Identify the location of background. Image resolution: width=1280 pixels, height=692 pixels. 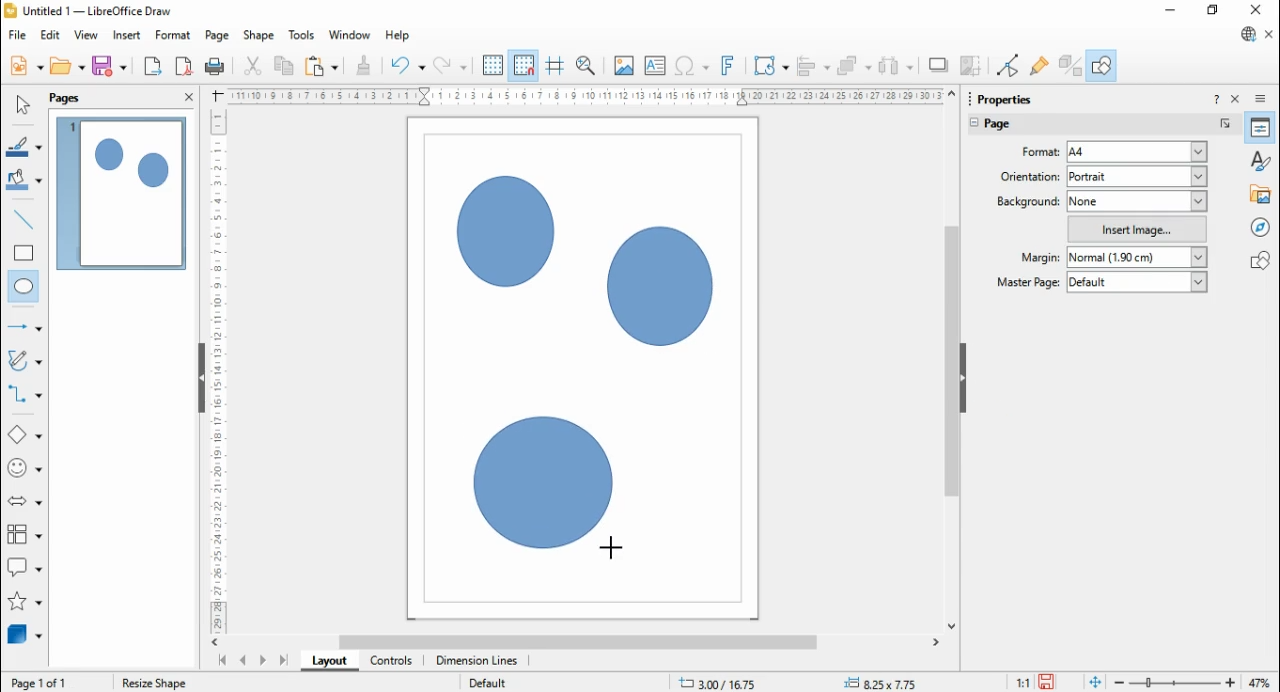
(1030, 201).